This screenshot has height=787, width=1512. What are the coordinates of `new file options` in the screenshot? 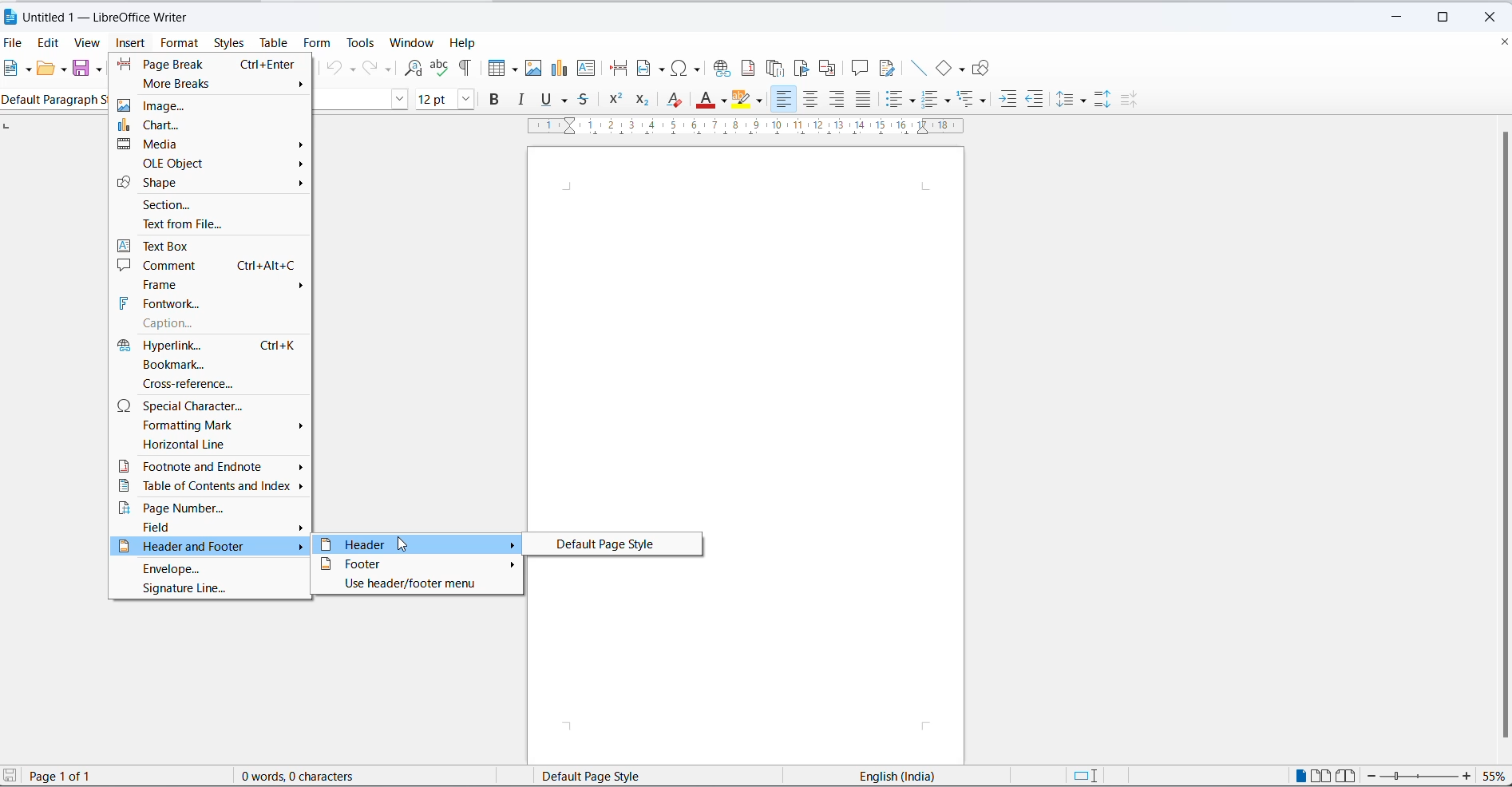 It's located at (27, 69).